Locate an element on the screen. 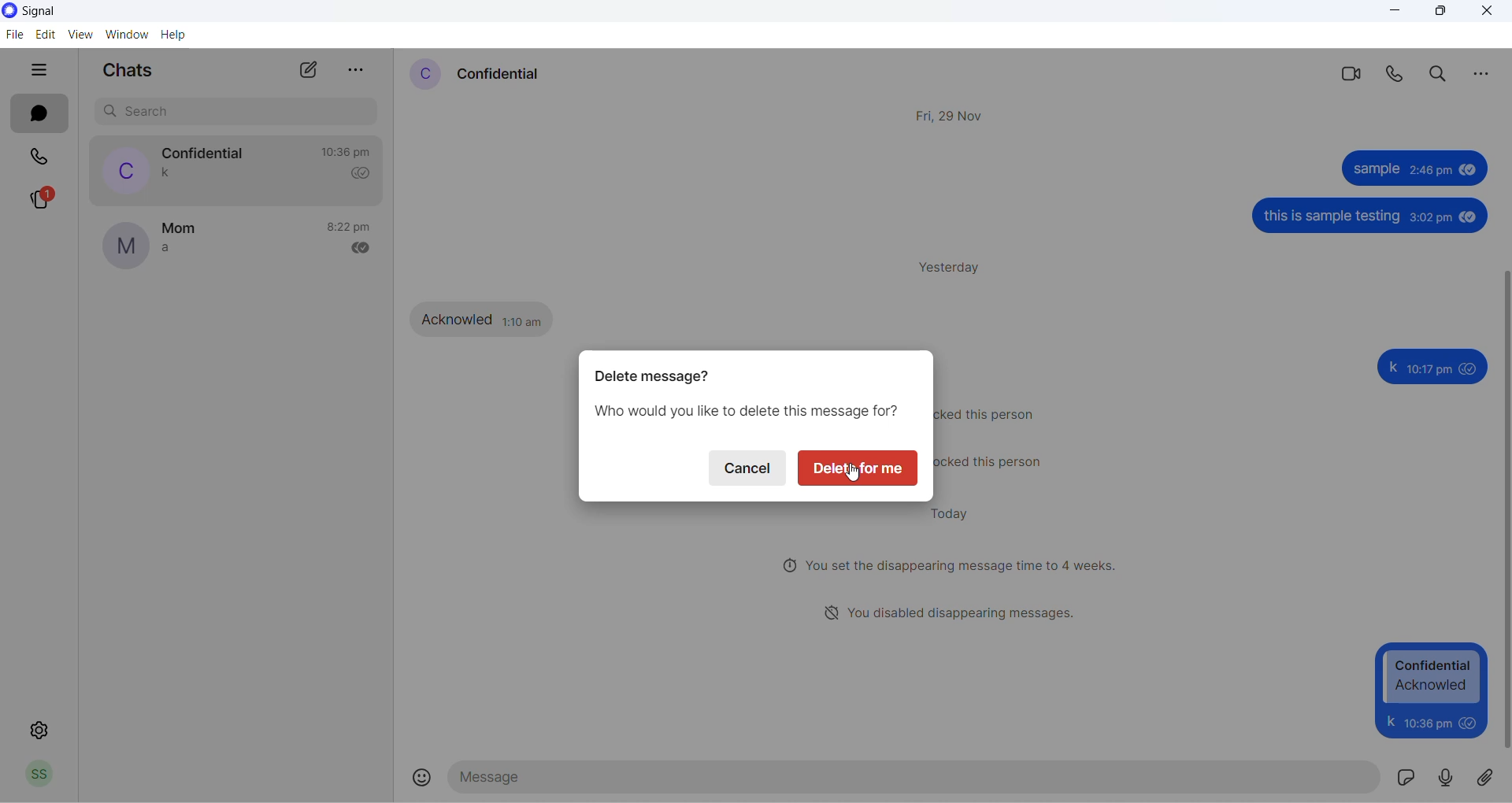 The image size is (1512, 803). emojis is located at coordinates (420, 780).